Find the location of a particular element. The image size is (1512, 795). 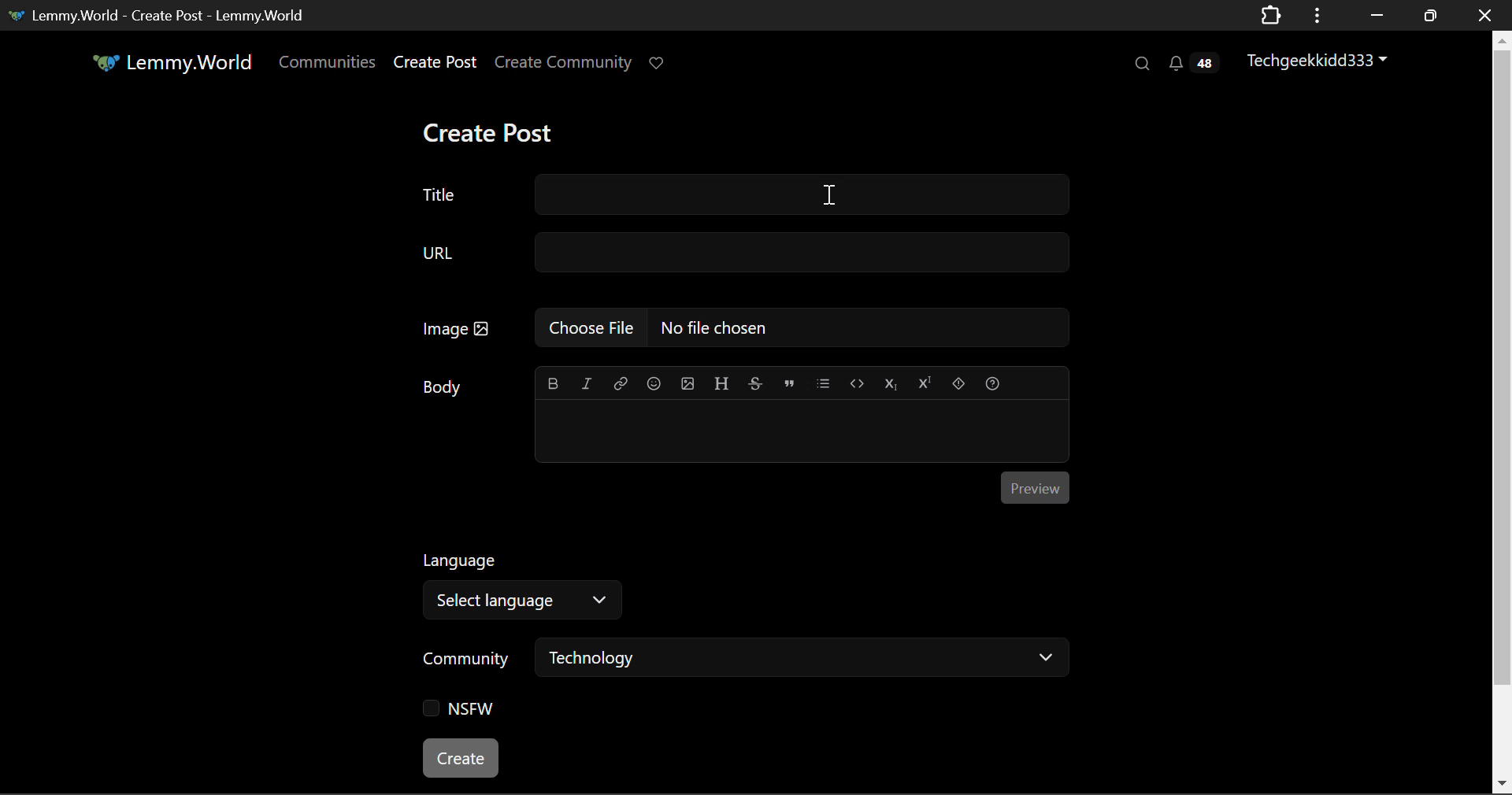

Title Field is located at coordinates (742, 195).